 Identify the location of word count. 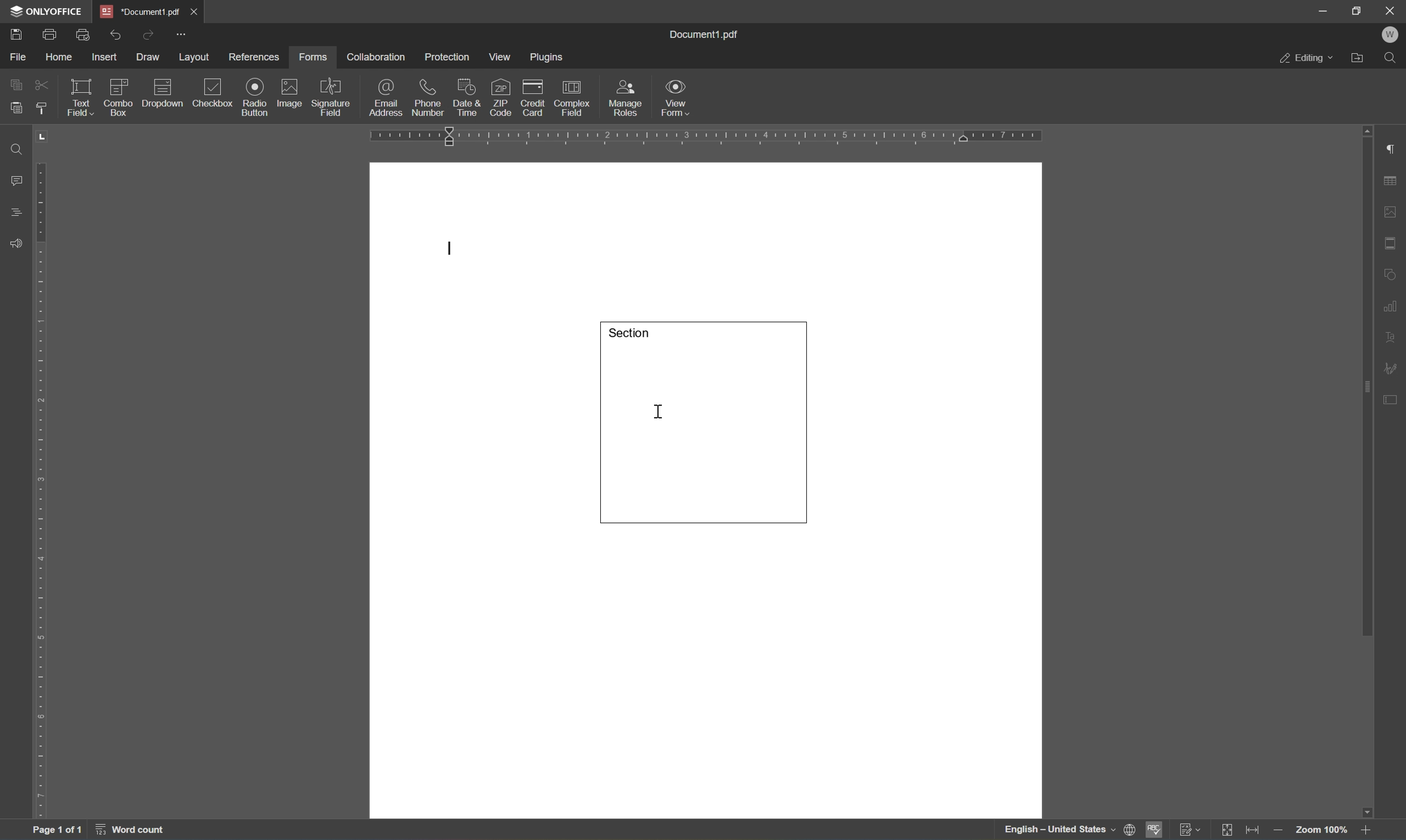
(140, 831).